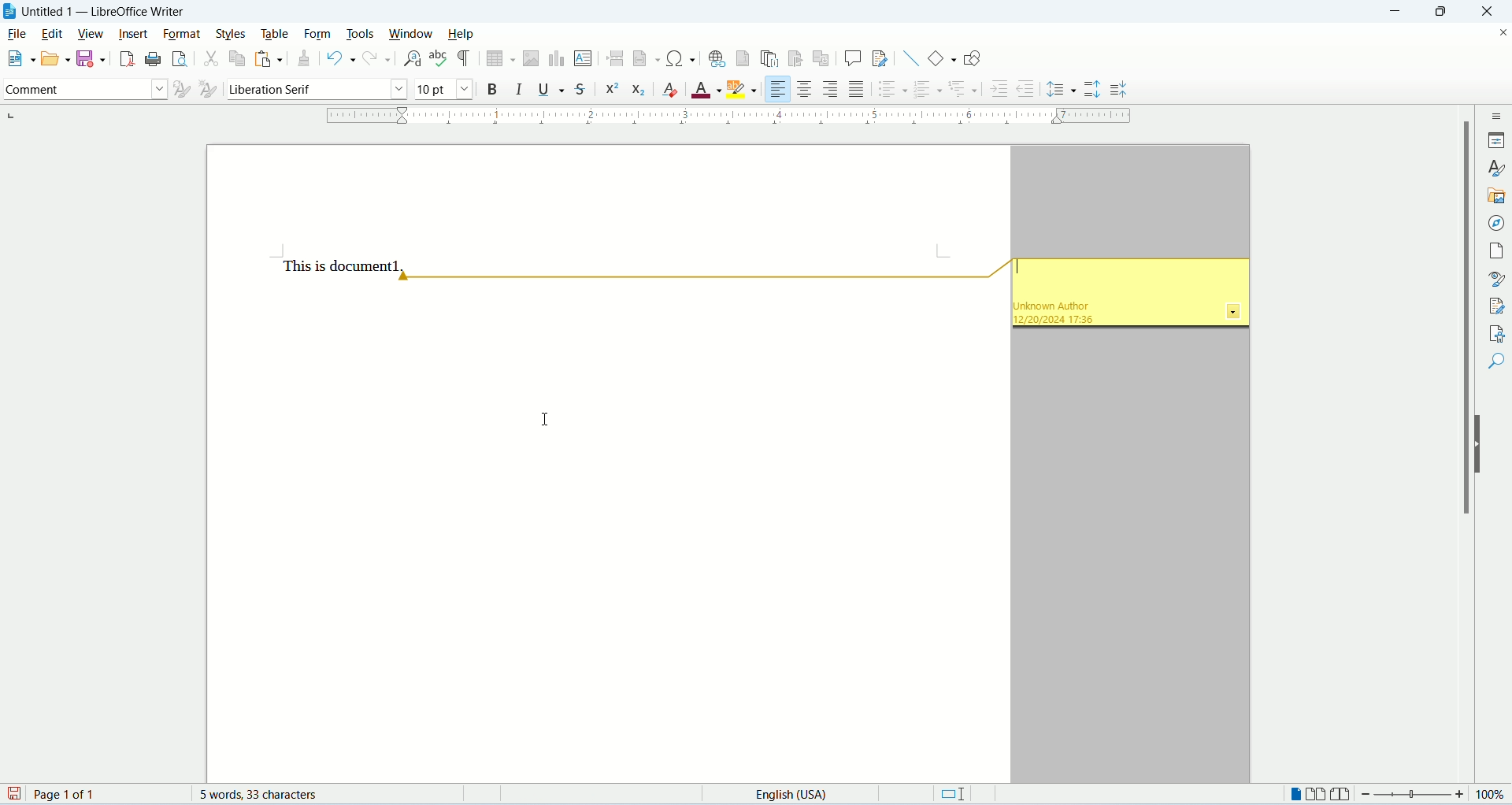 The height and width of the screenshot is (805, 1512). What do you see at coordinates (278, 34) in the screenshot?
I see `table` at bounding box center [278, 34].